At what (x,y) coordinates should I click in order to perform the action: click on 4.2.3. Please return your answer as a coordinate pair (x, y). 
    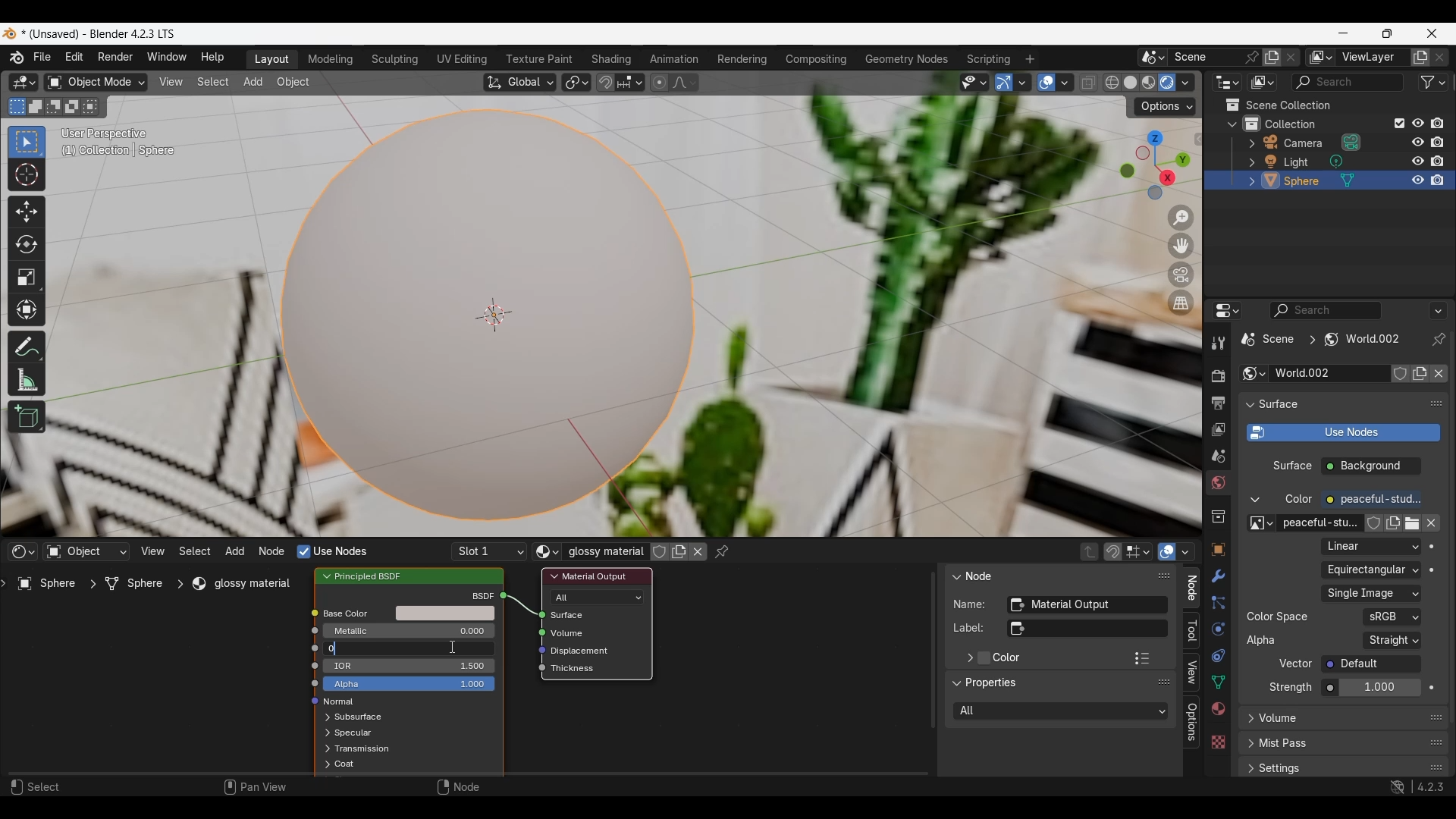
    Looking at the image, I should click on (1431, 786).